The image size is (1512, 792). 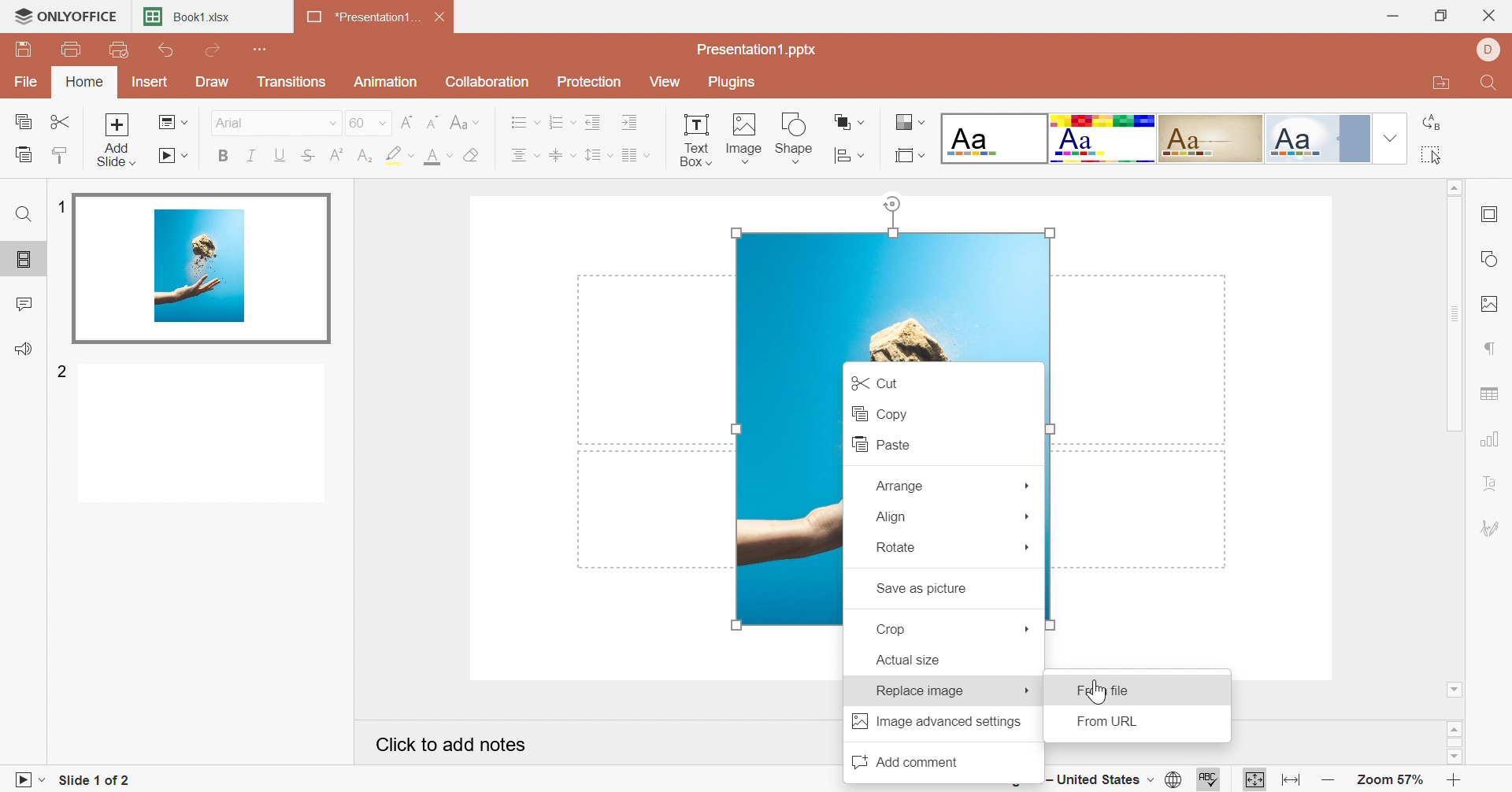 What do you see at coordinates (599, 155) in the screenshot?
I see `Line spacing` at bounding box center [599, 155].